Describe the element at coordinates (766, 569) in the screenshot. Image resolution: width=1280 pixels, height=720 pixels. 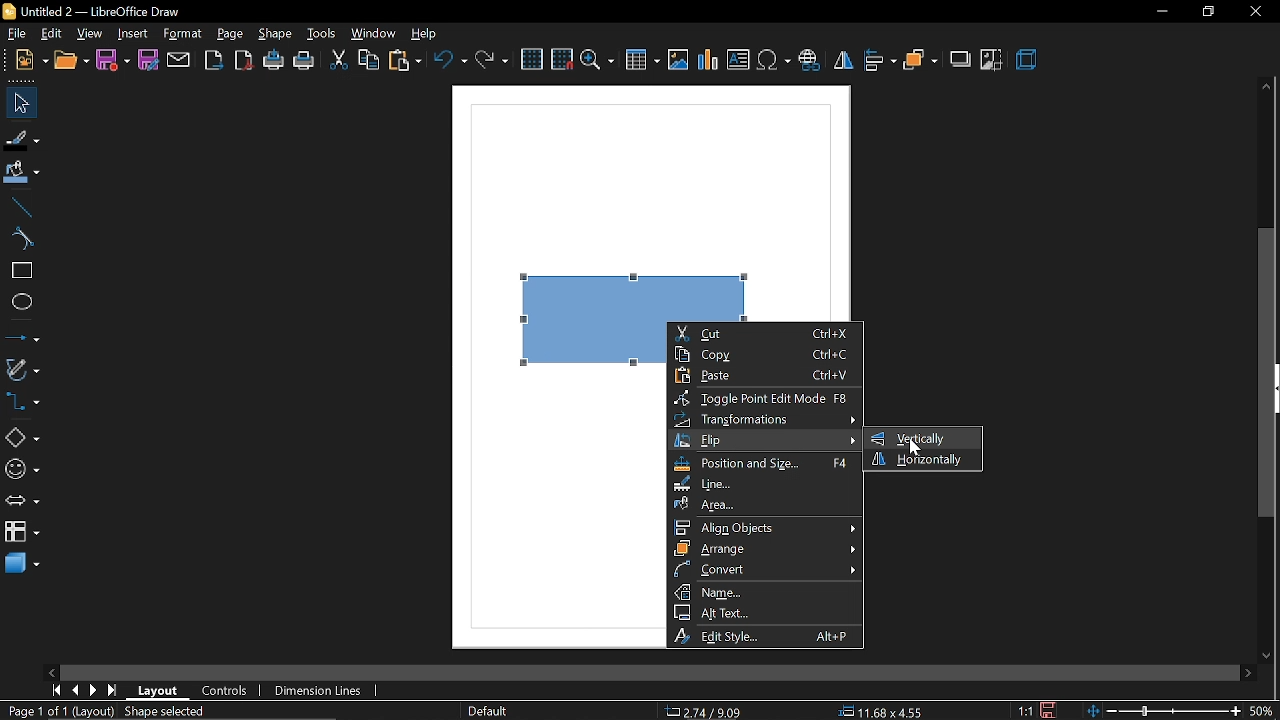
I see `convert` at that location.